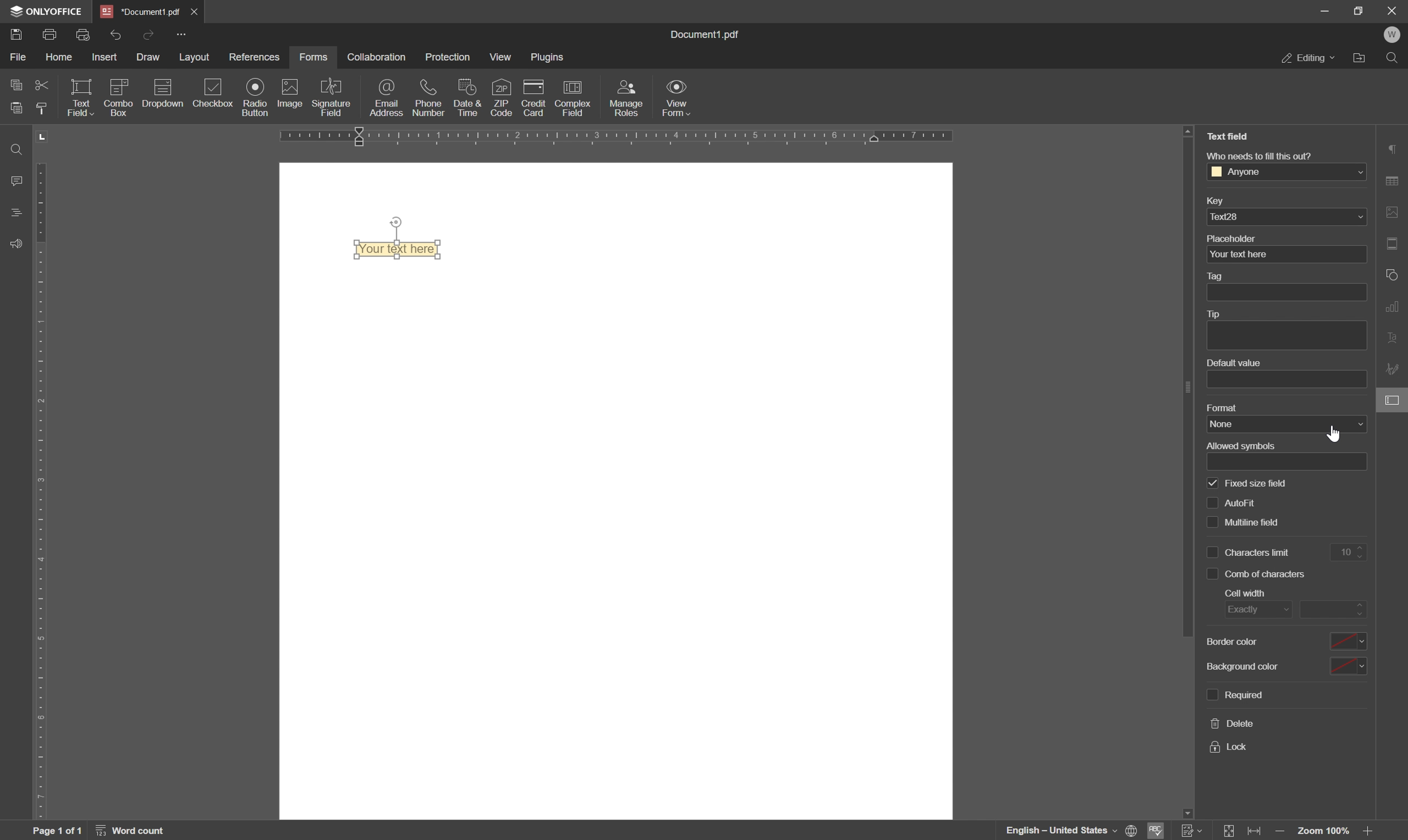 This screenshot has width=1408, height=840. I want to click on collaboration, so click(381, 55).